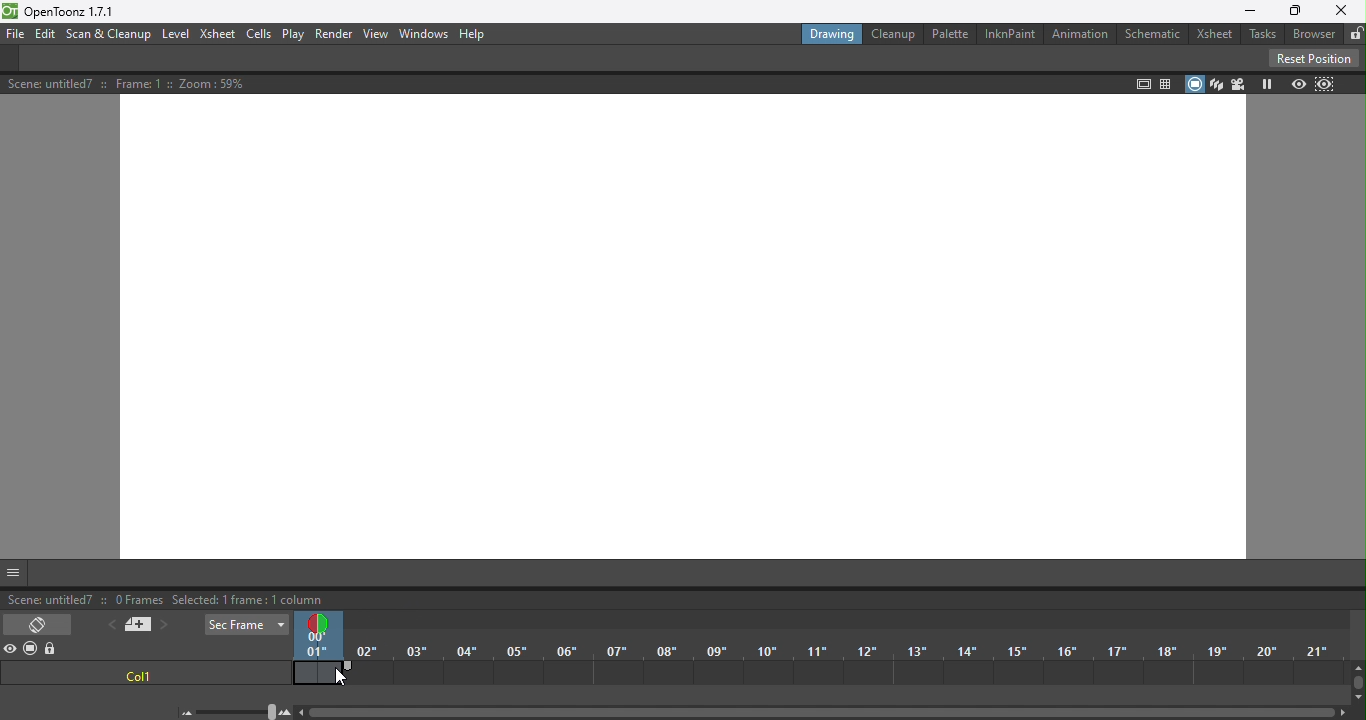  Describe the element at coordinates (11, 12) in the screenshot. I see `logo` at that location.